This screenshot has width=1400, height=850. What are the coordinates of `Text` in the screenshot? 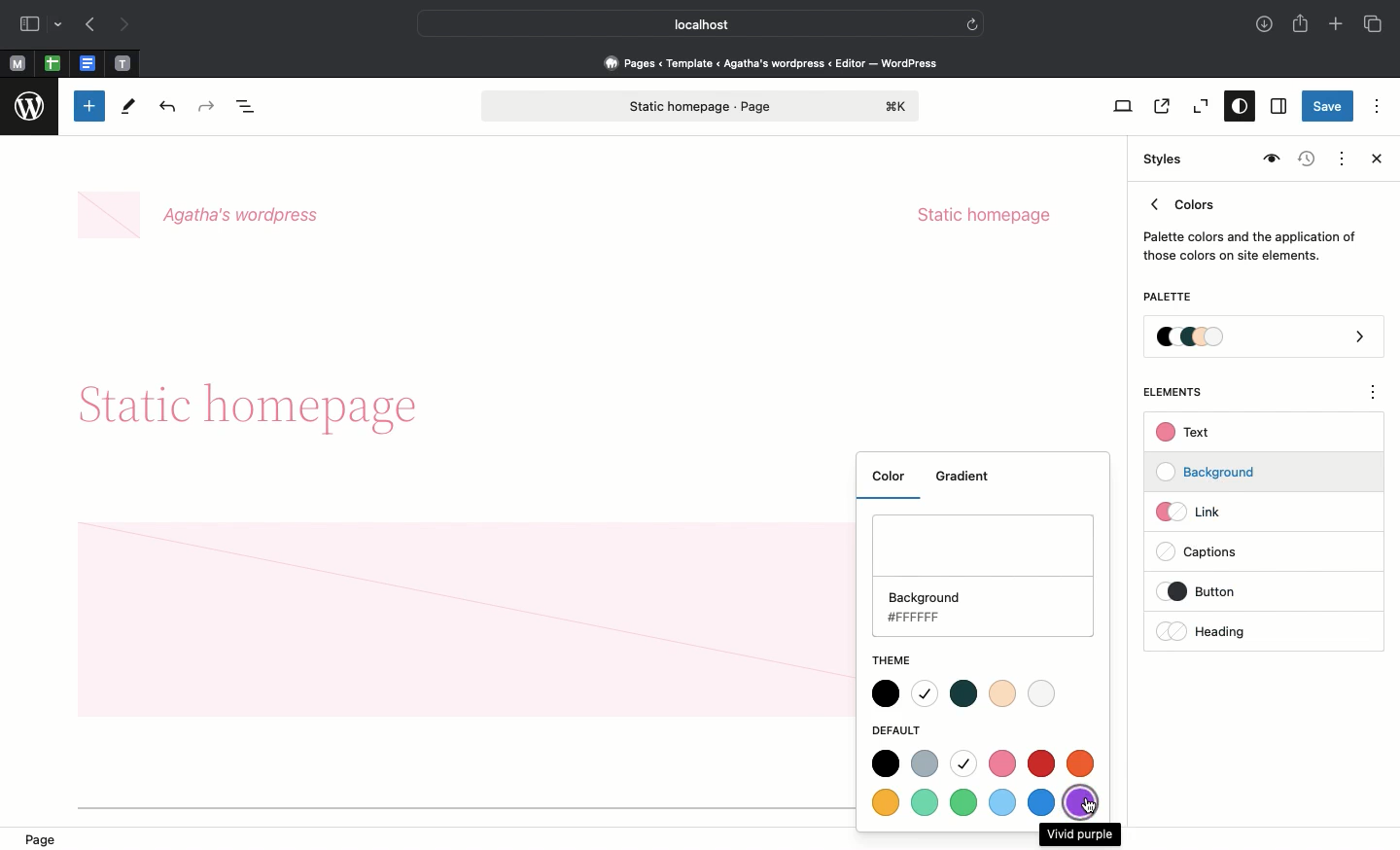 It's located at (1186, 433).